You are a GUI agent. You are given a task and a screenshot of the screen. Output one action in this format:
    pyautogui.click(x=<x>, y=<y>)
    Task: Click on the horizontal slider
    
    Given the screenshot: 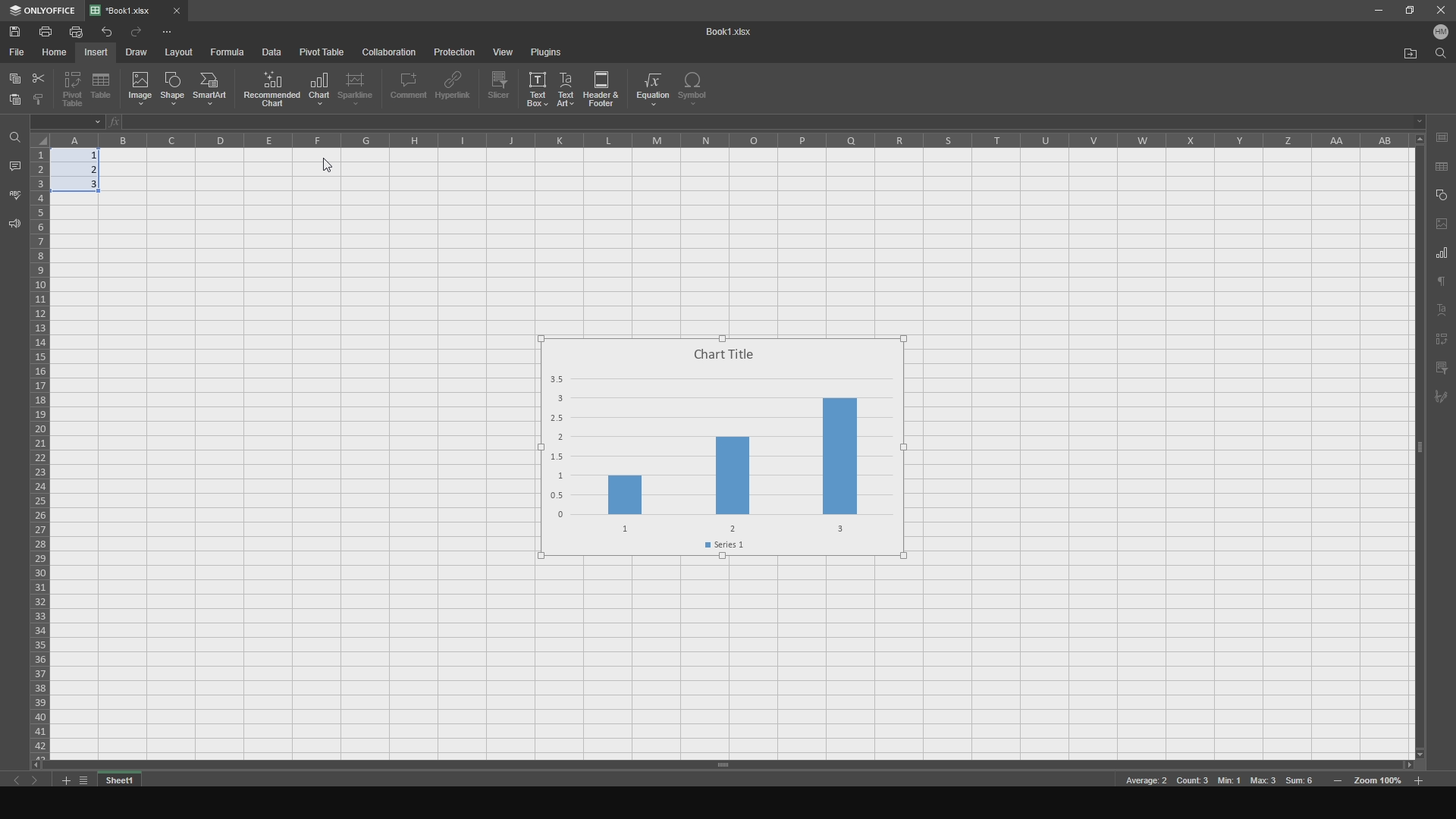 What is the action you would take?
    pyautogui.click(x=718, y=764)
    